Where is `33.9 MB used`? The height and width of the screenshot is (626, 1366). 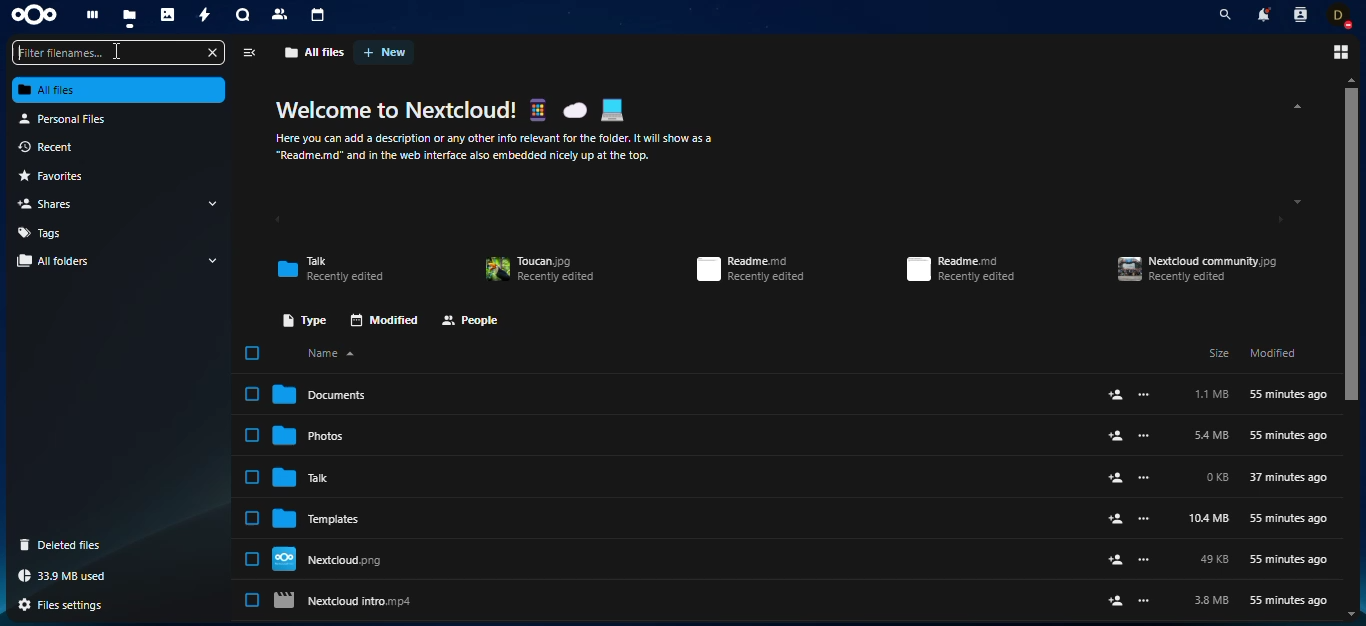 33.9 MB used is located at coordinates (66, 576).